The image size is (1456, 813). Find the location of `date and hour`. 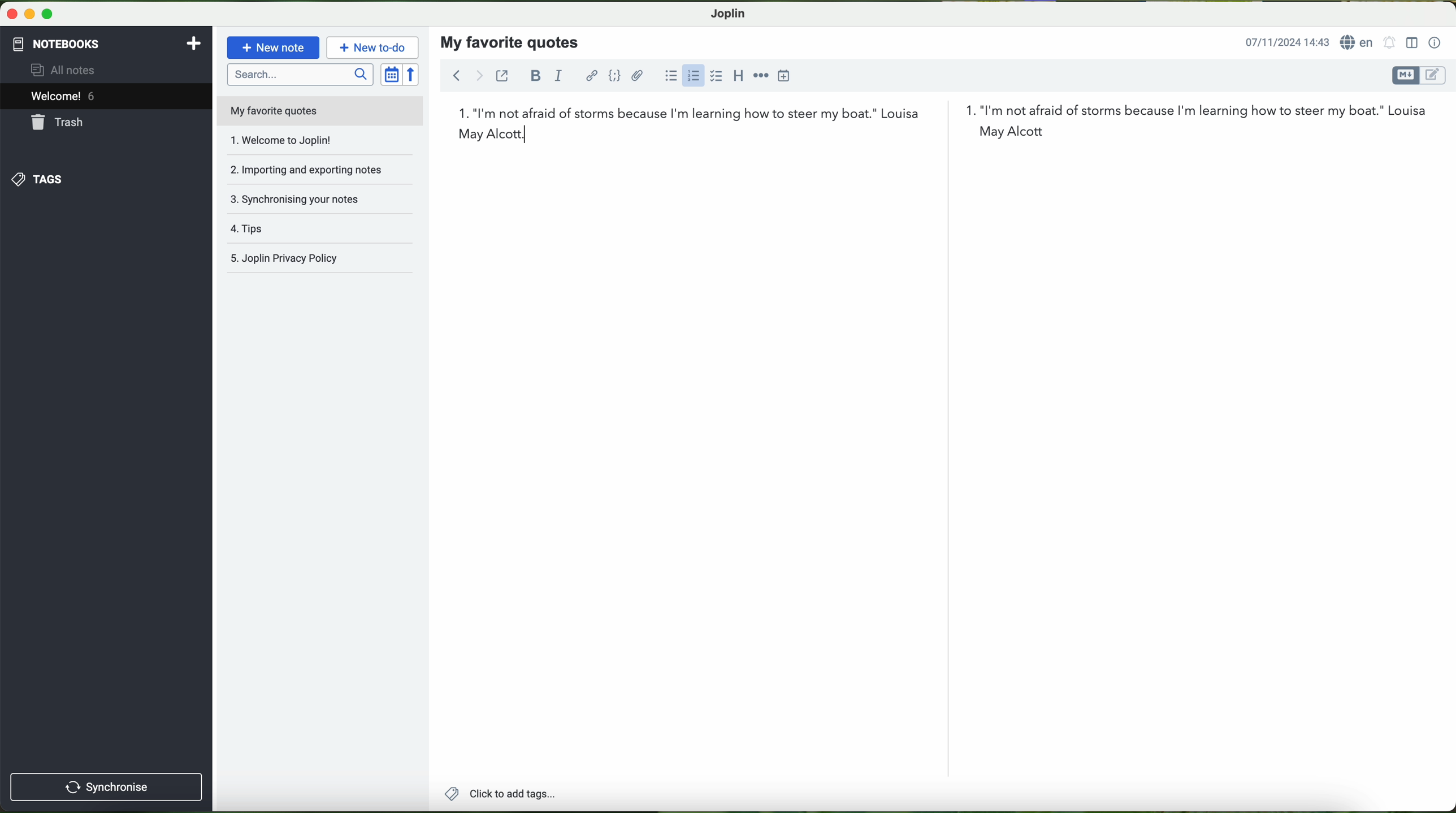

date and hour is located at coordinates (1286, 41).